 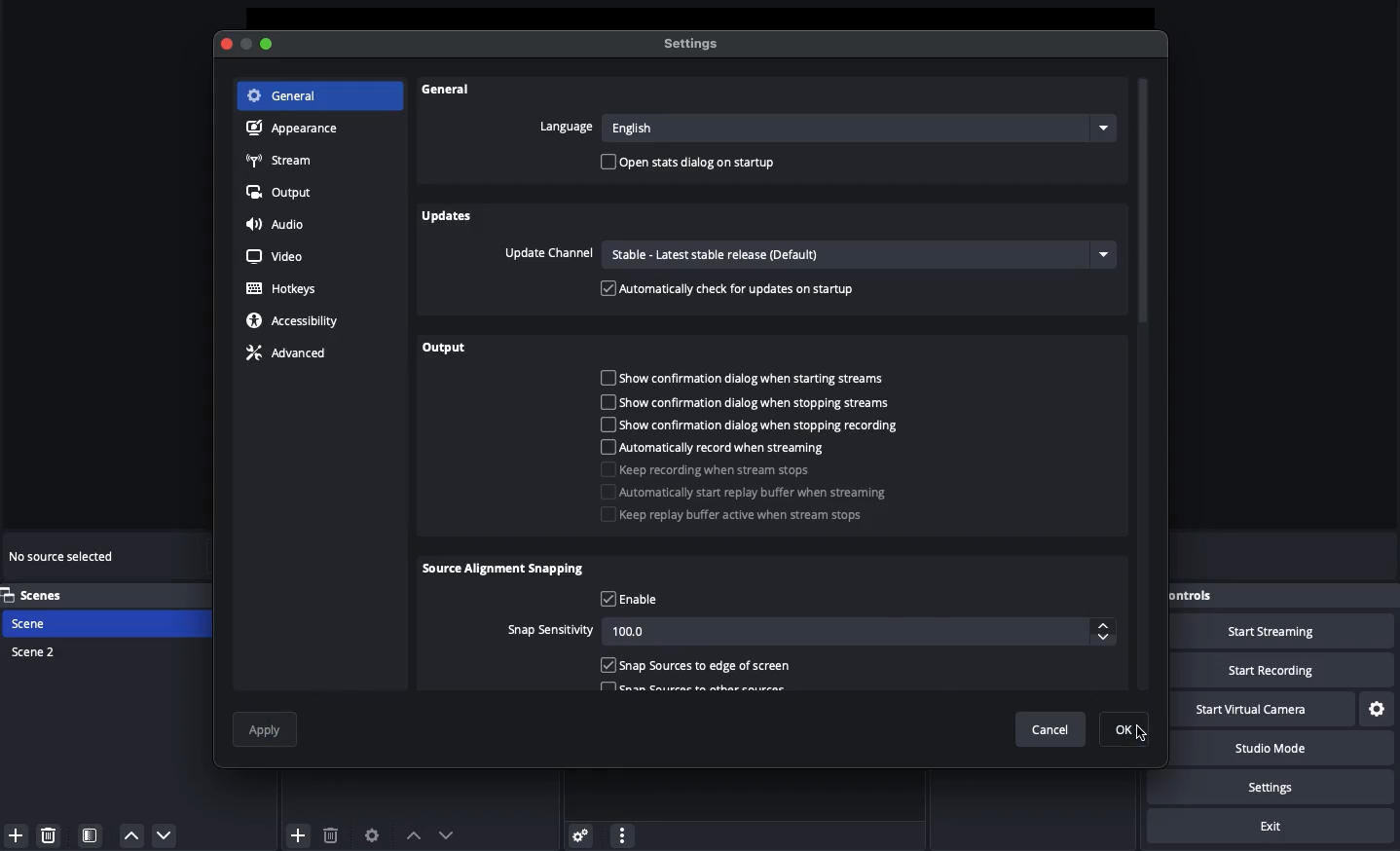 What do you see at coordinates (1145, 386) in the screenshot?
I see `Scroll` at bounding box center [1145, 386].